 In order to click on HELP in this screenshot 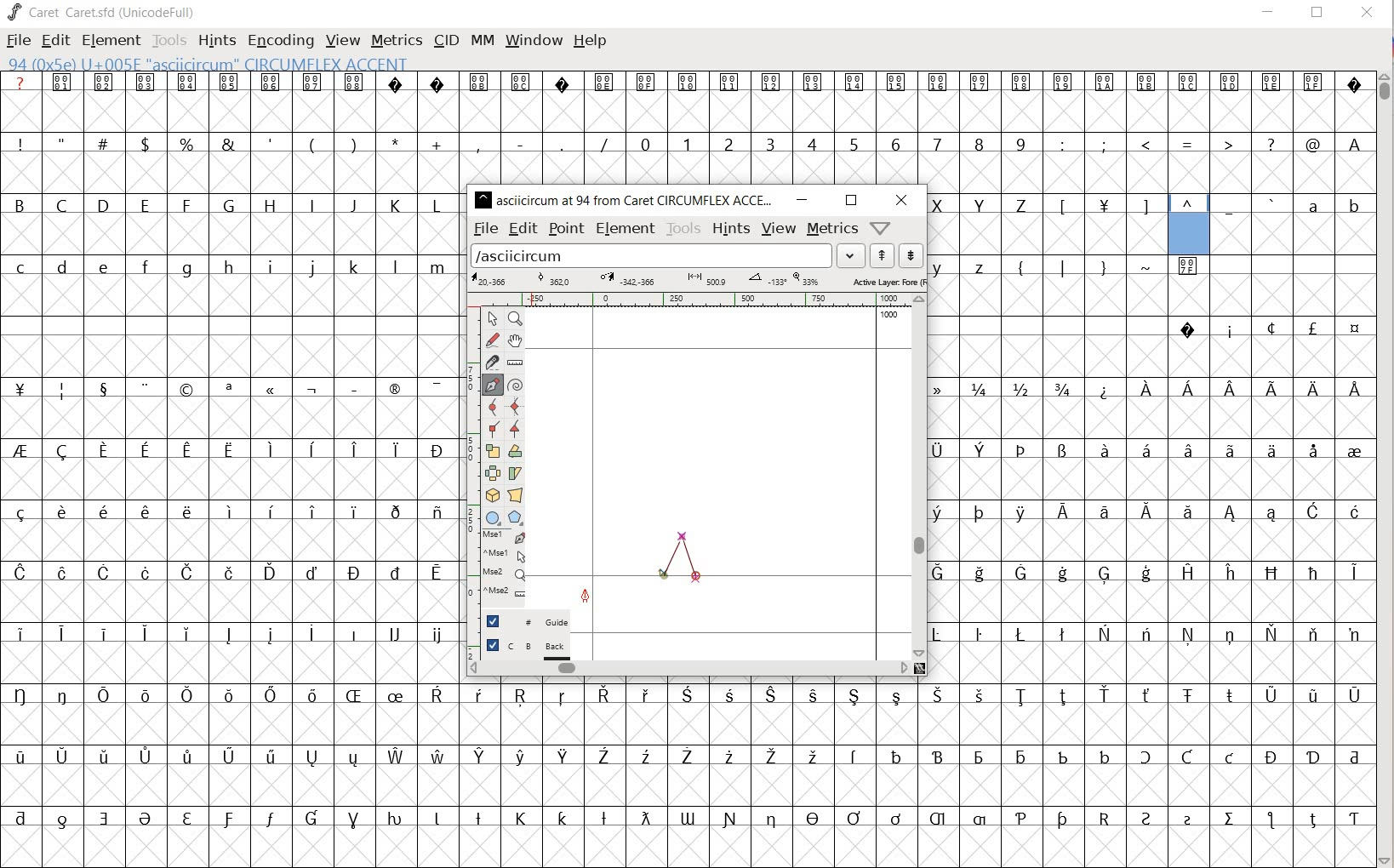, I will do `click(591, 40)`.